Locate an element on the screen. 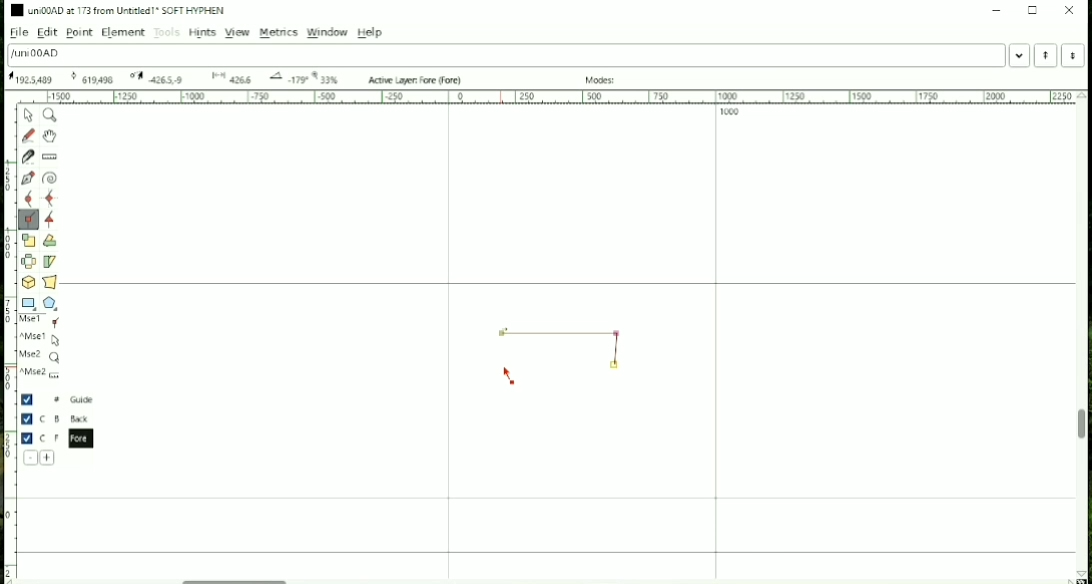 The image size is (1092, 584). Scale the selection is located at coordinates (28, 240).